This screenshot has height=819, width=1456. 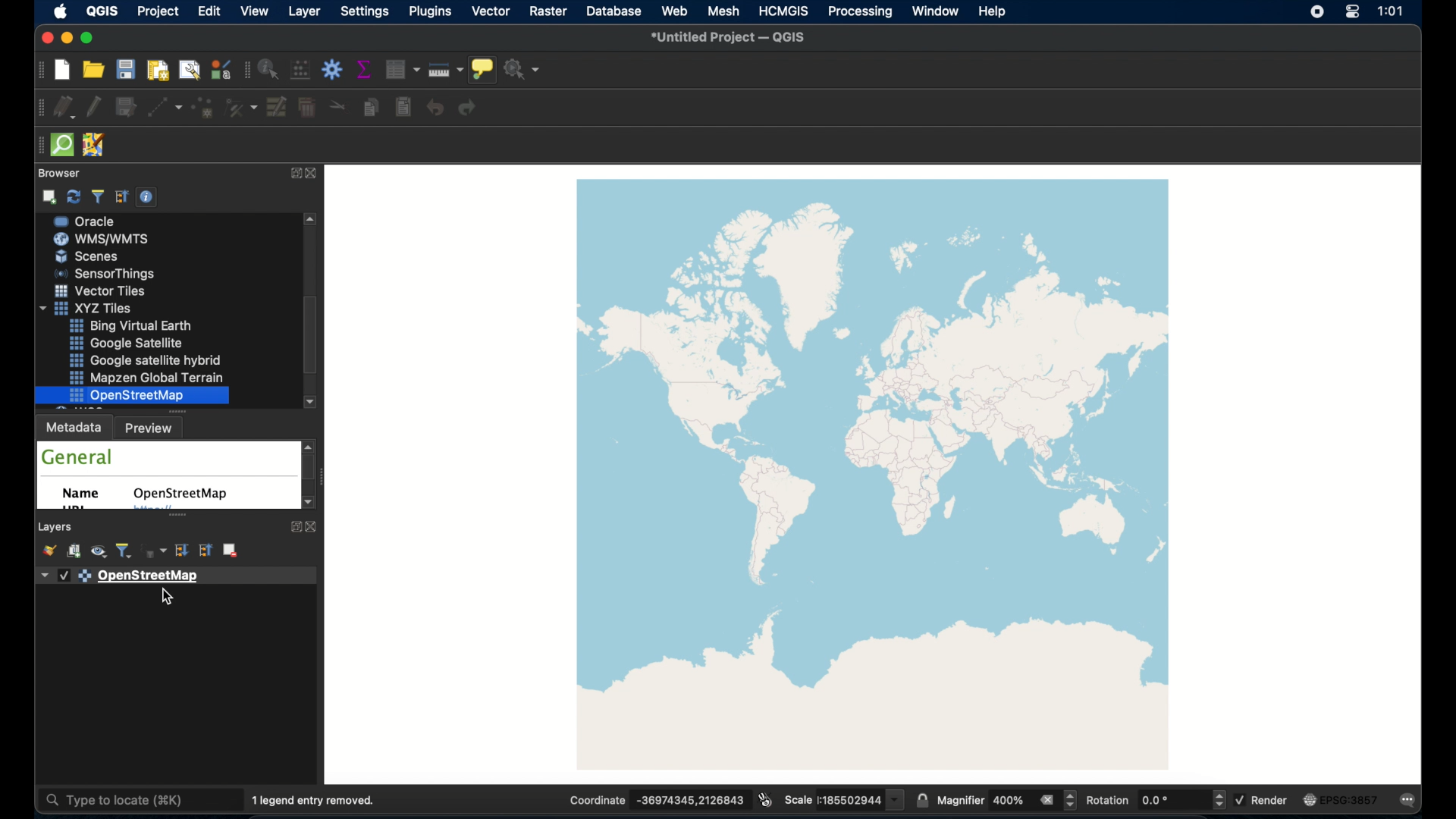 What do you see at coordinates (765, 799) in the screenshot?
I see `toggle extents and mouse position display` at bounding box center [765, 799].